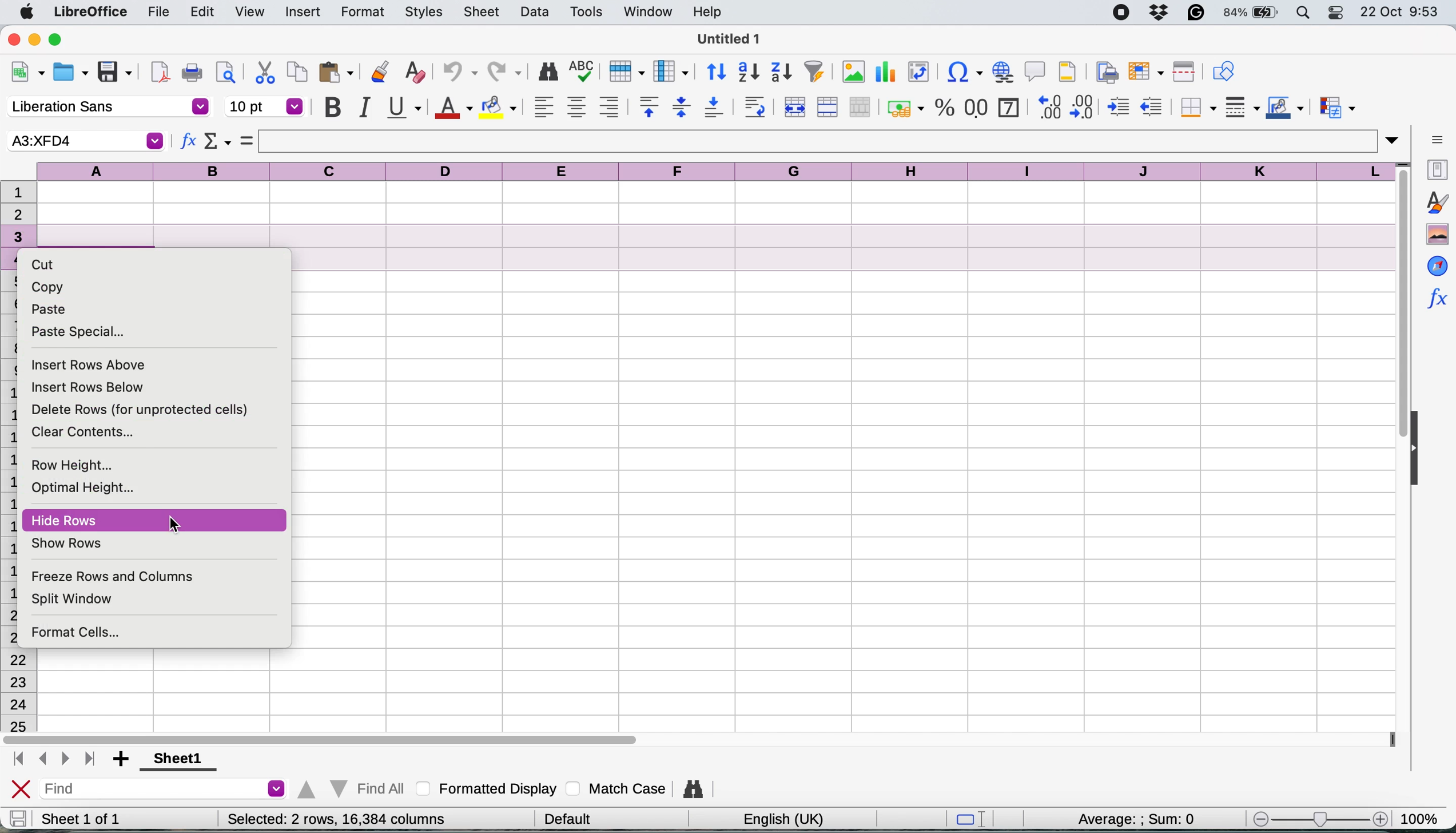 The height and width of the screenshot is (833, 1456). Describe the element at coordinates (506, 73) in the screenshot. I see `redo` at that location.